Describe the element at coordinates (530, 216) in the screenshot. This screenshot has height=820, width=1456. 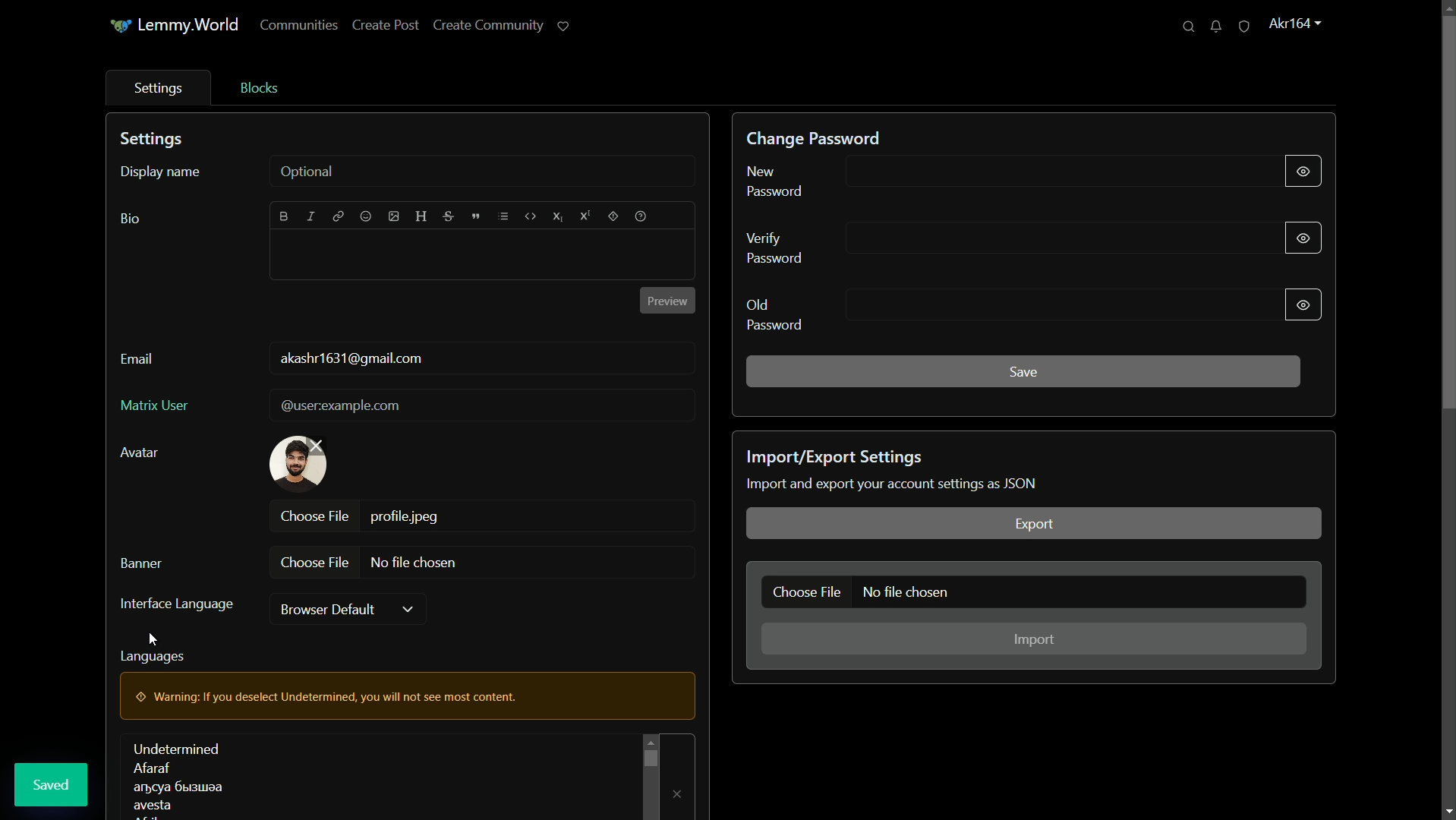
I see `code` at that location.